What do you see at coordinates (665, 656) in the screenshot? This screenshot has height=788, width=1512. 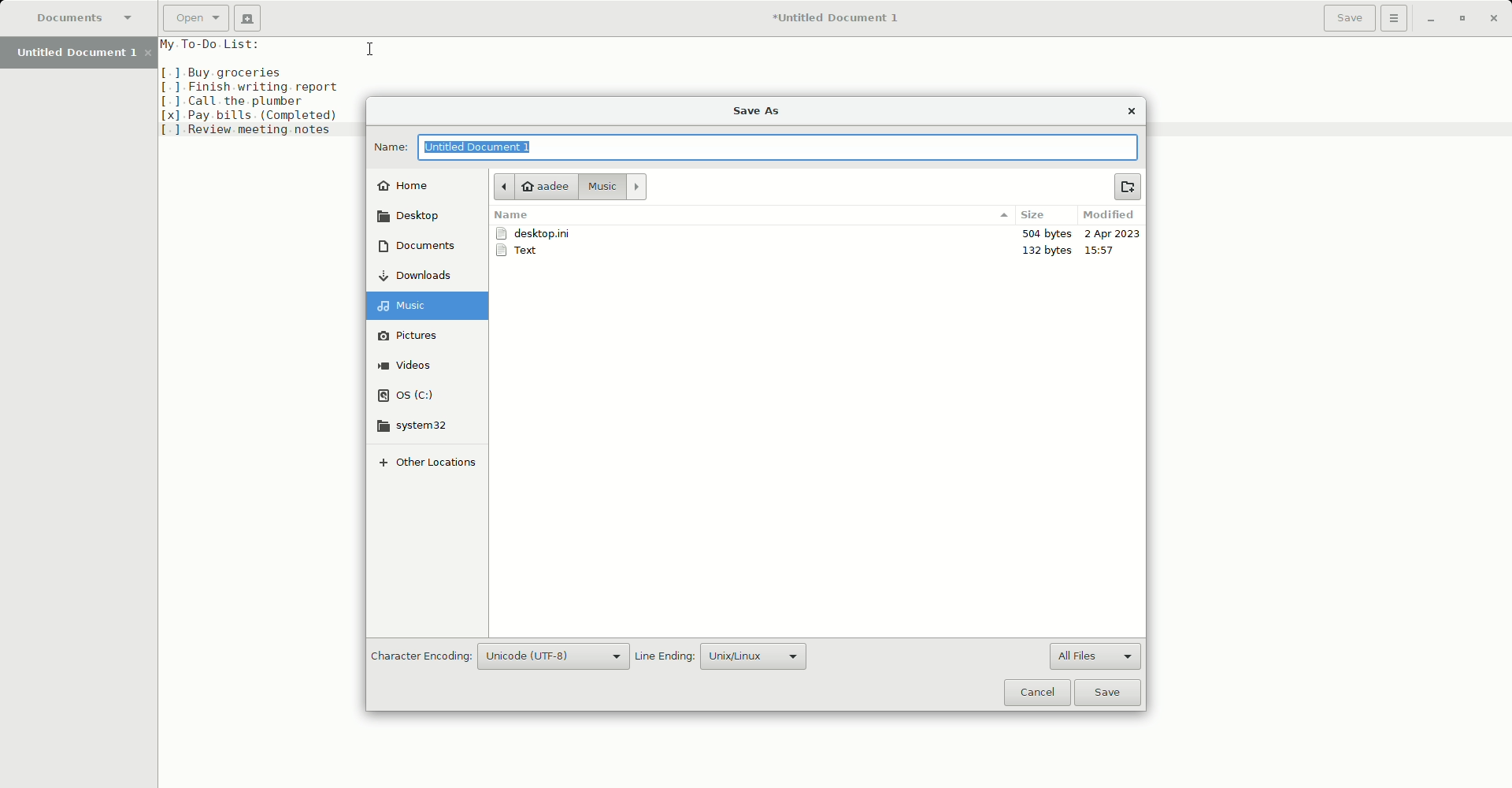 I see `Line endiing` at bounding box center [665, 656].